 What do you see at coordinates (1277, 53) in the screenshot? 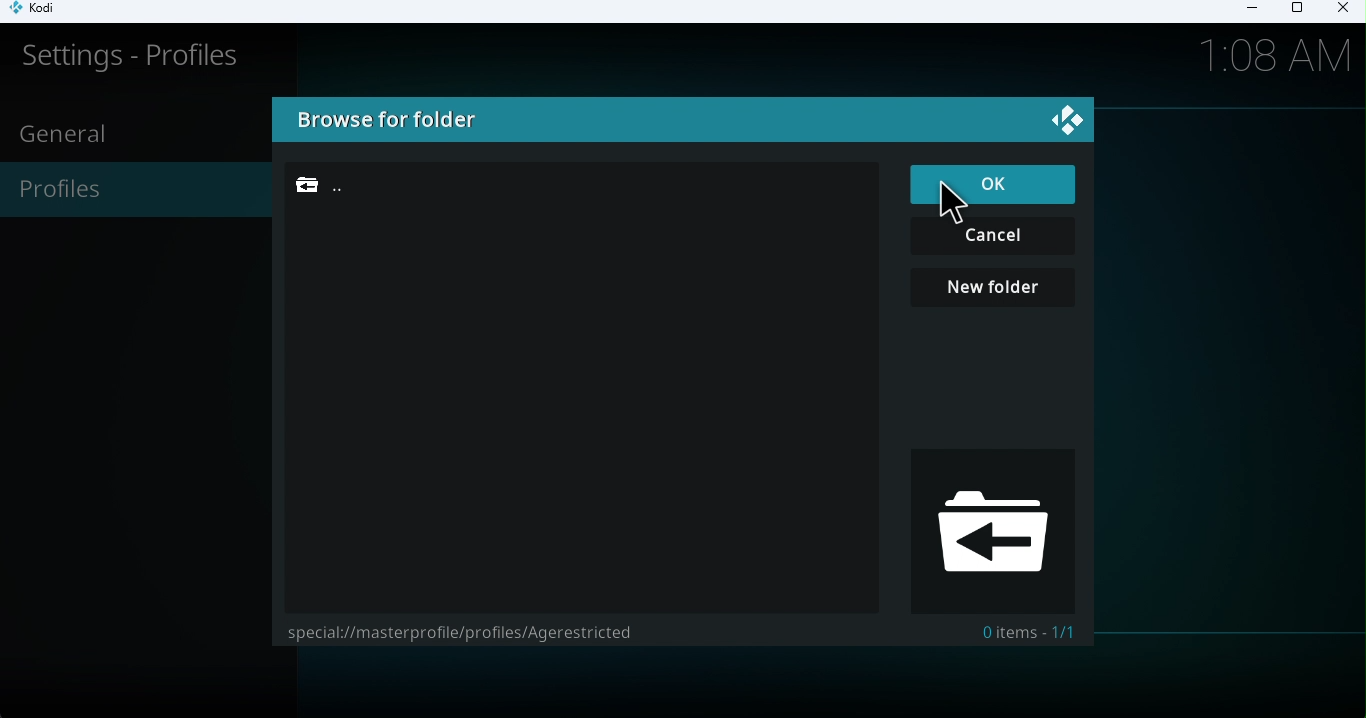
I see `Time` at bounding box center [1277, 53].